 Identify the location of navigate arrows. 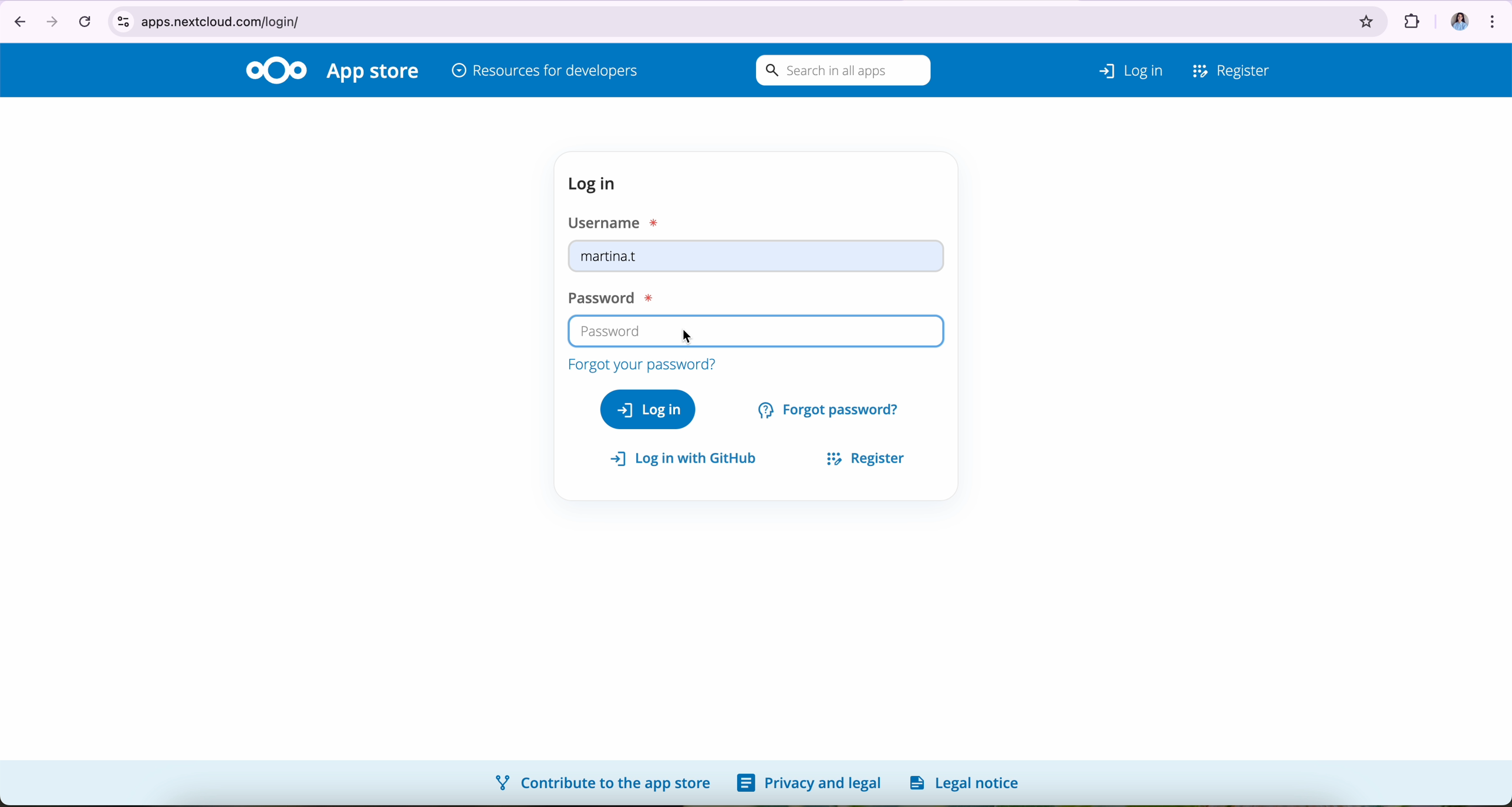
(32, 20).